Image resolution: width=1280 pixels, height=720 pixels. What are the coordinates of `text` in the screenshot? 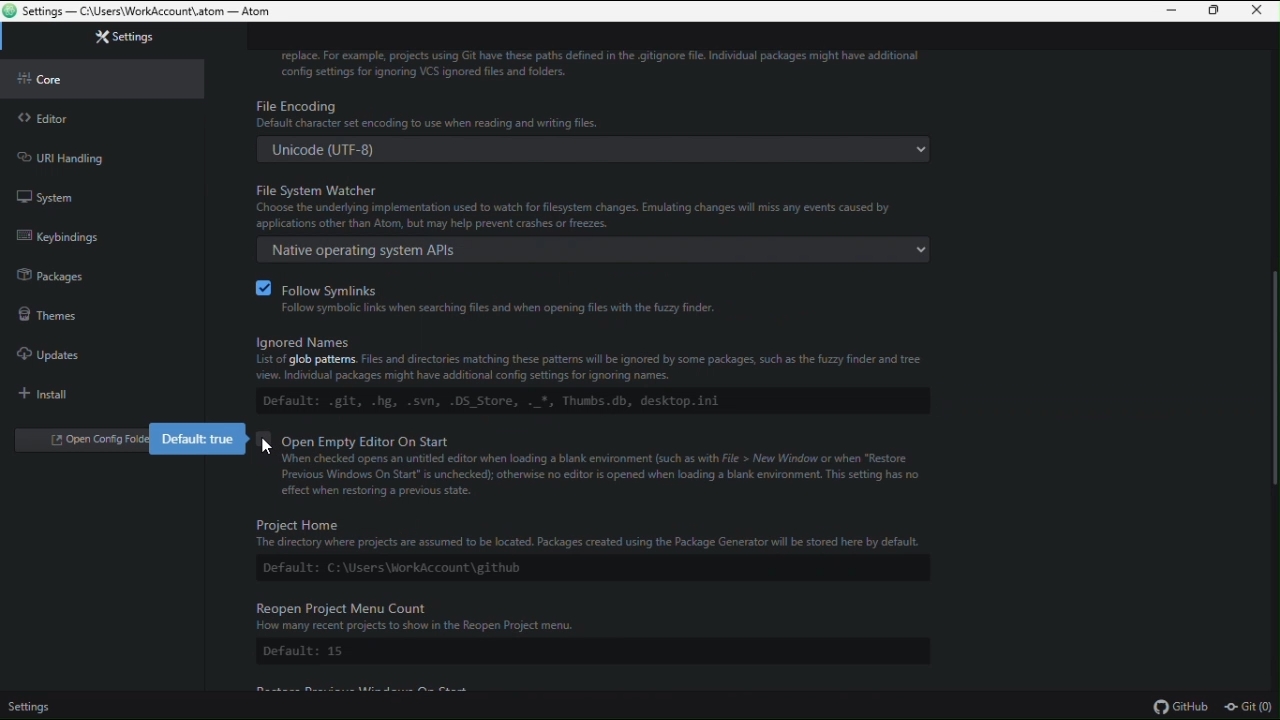 It's located at (607, 65).